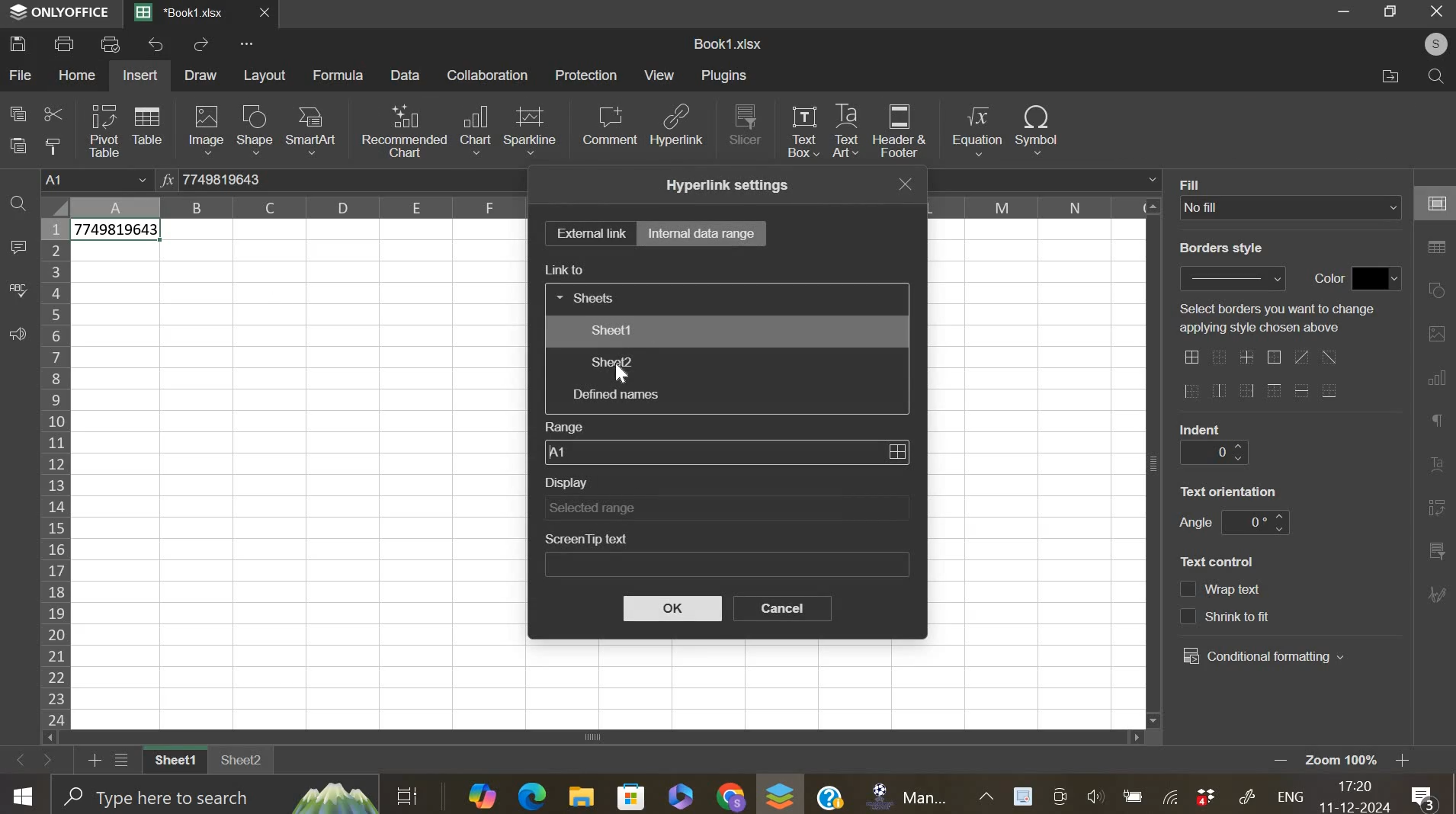  I want to click on sheets, so click(588, 296).